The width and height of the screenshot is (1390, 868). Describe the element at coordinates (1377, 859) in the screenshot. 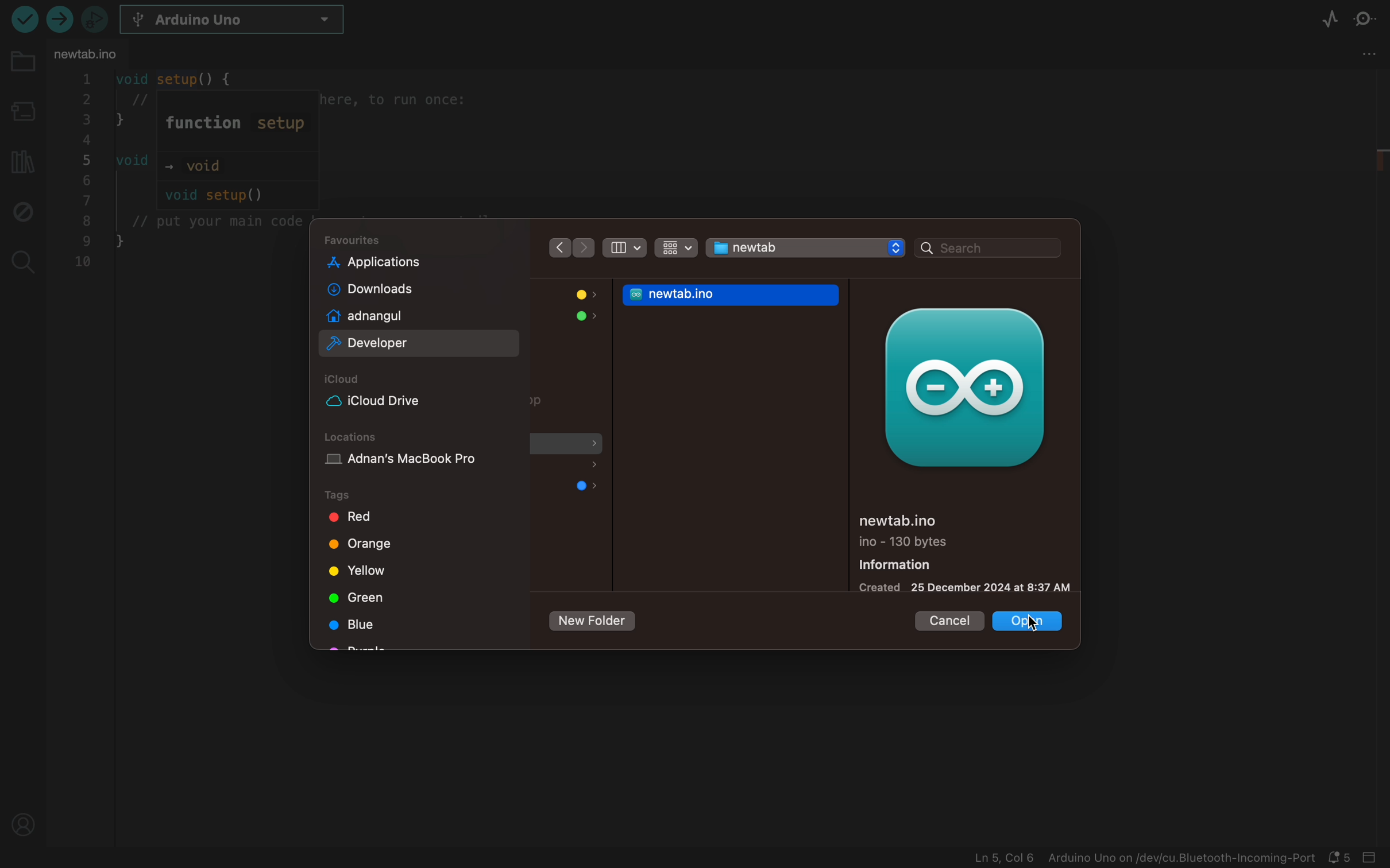

I see `close slide bar` at that location.